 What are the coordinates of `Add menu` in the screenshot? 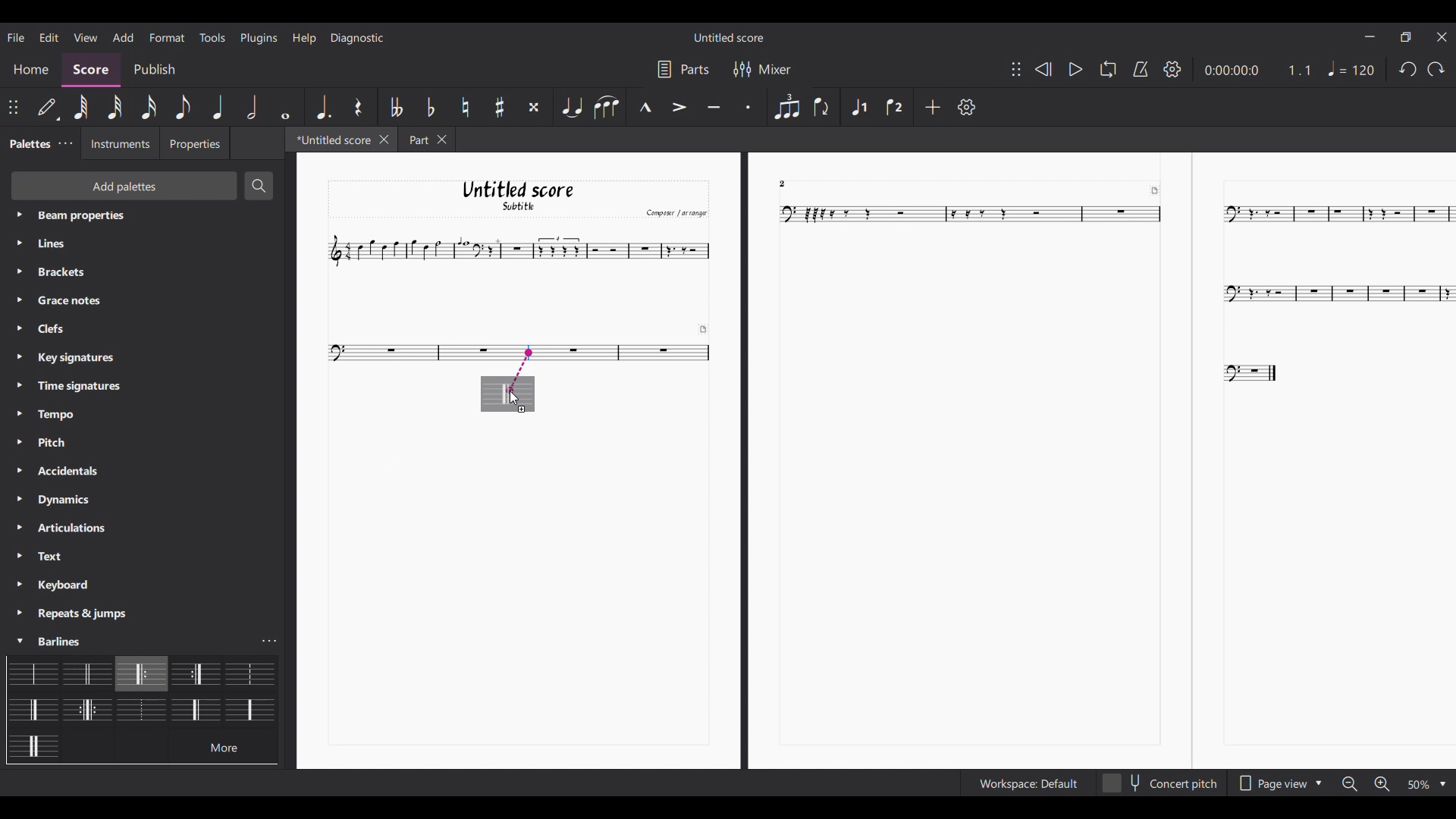 It's located at (123, 37).